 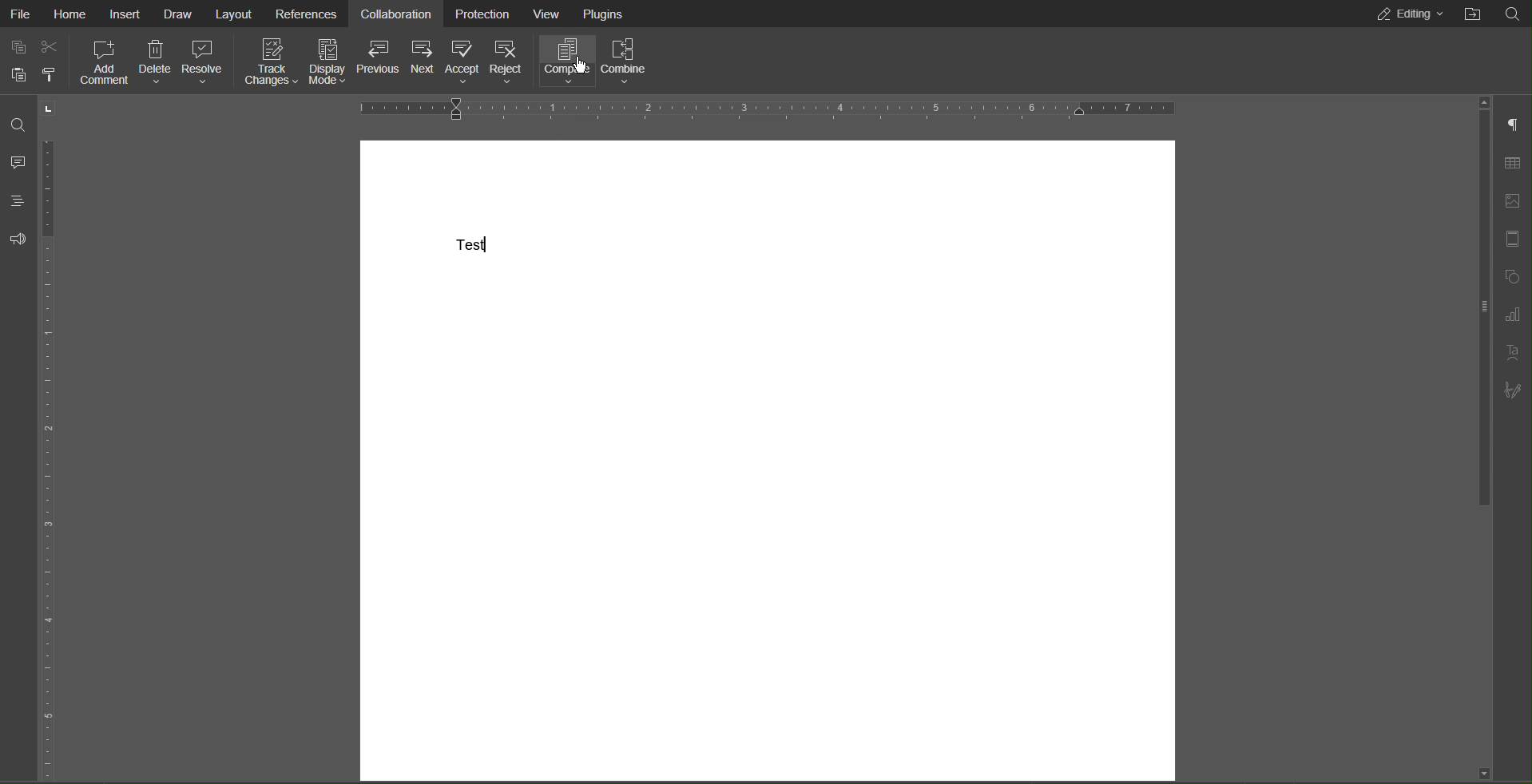 What do you see at coordinates (1513, 312) in the screenshot?
I see `Graph Settings` at bounding box center [1513, 312].